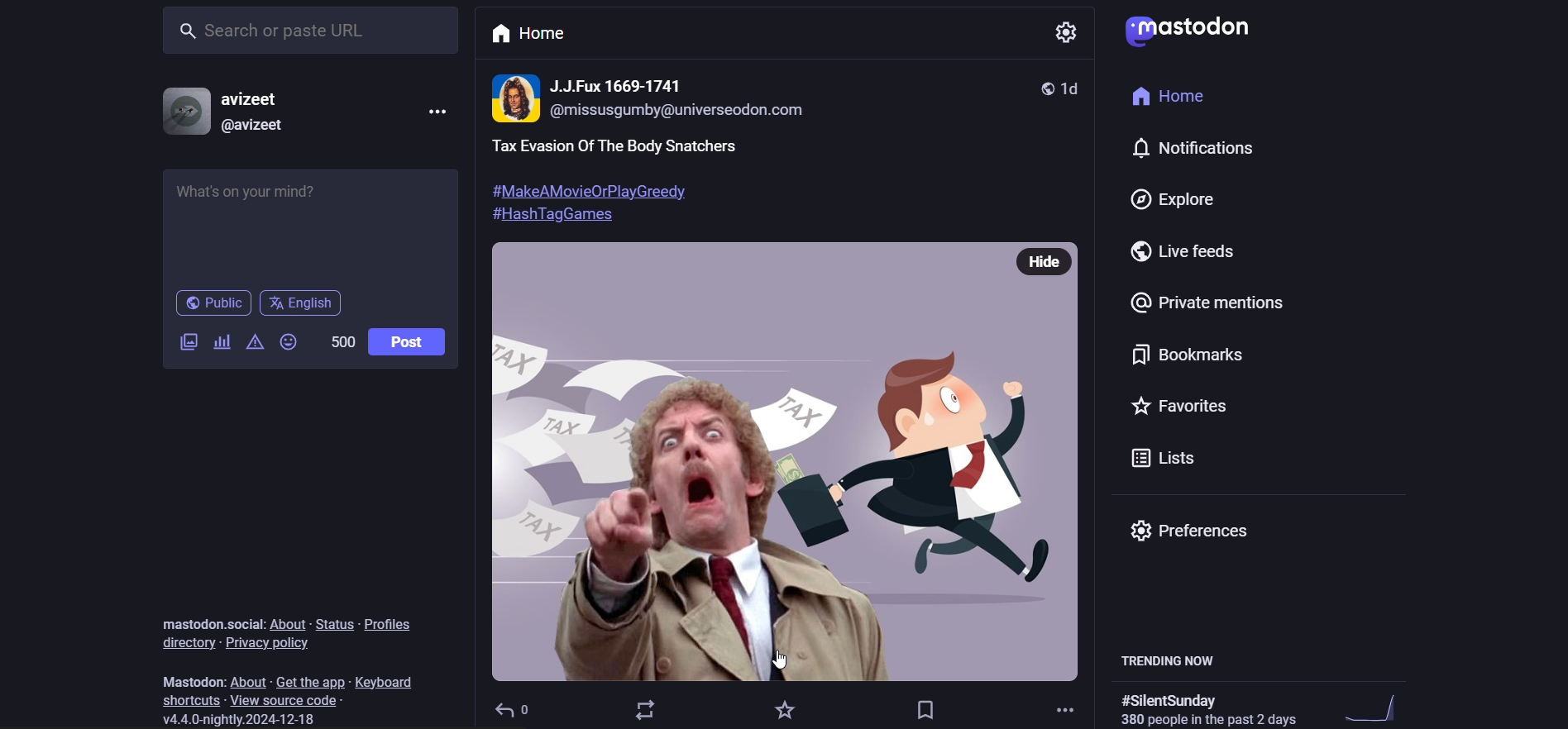 The image size is (1568, 729). What do you see at coordinates (340, 342) in the screenshot?
I see `word limit` at bounding box center [340, 342].